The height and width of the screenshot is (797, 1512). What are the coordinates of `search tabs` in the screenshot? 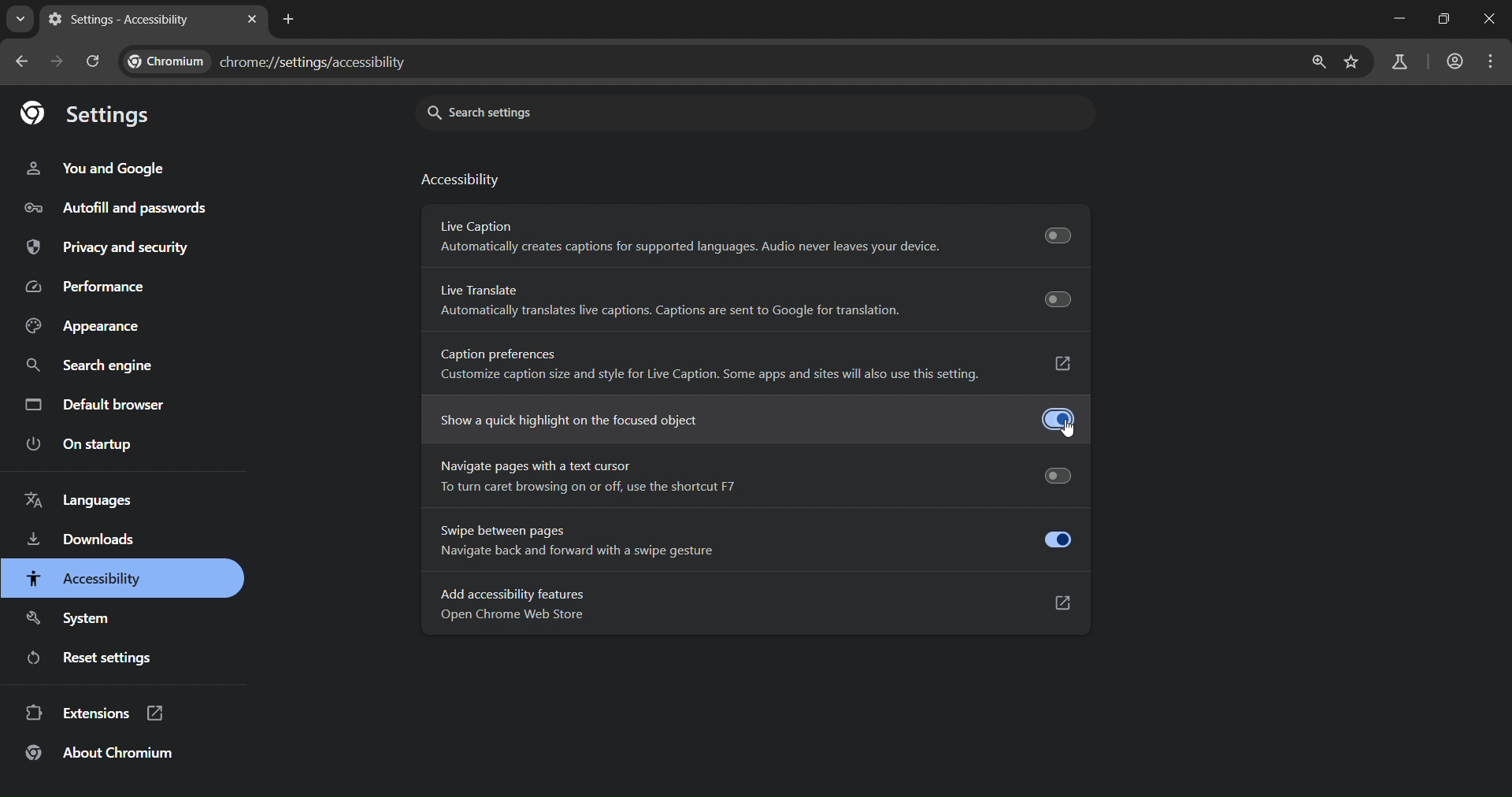 It's located at (20, 18).